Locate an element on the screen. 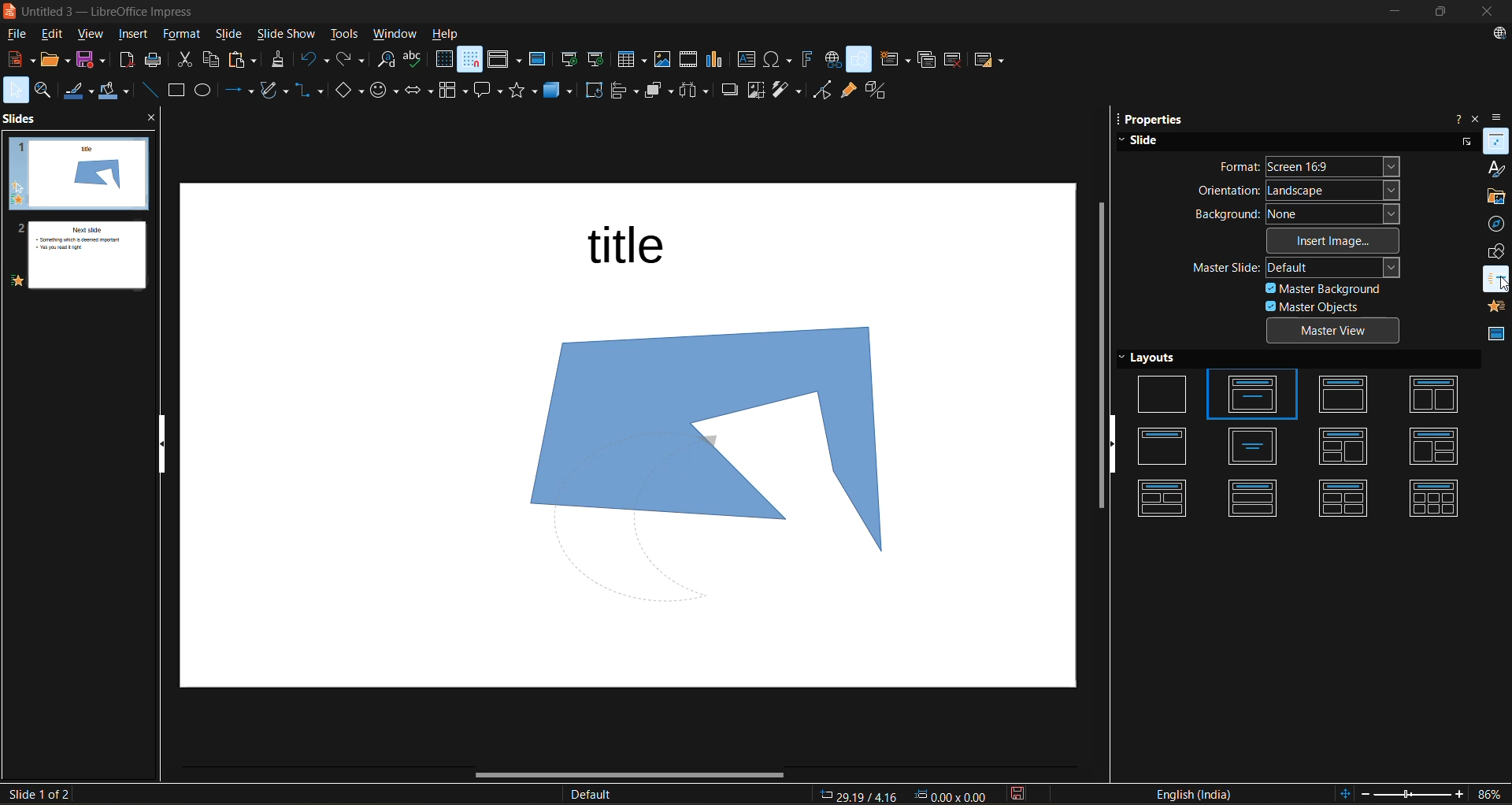  master objects is located at coordinates (1314, 308).